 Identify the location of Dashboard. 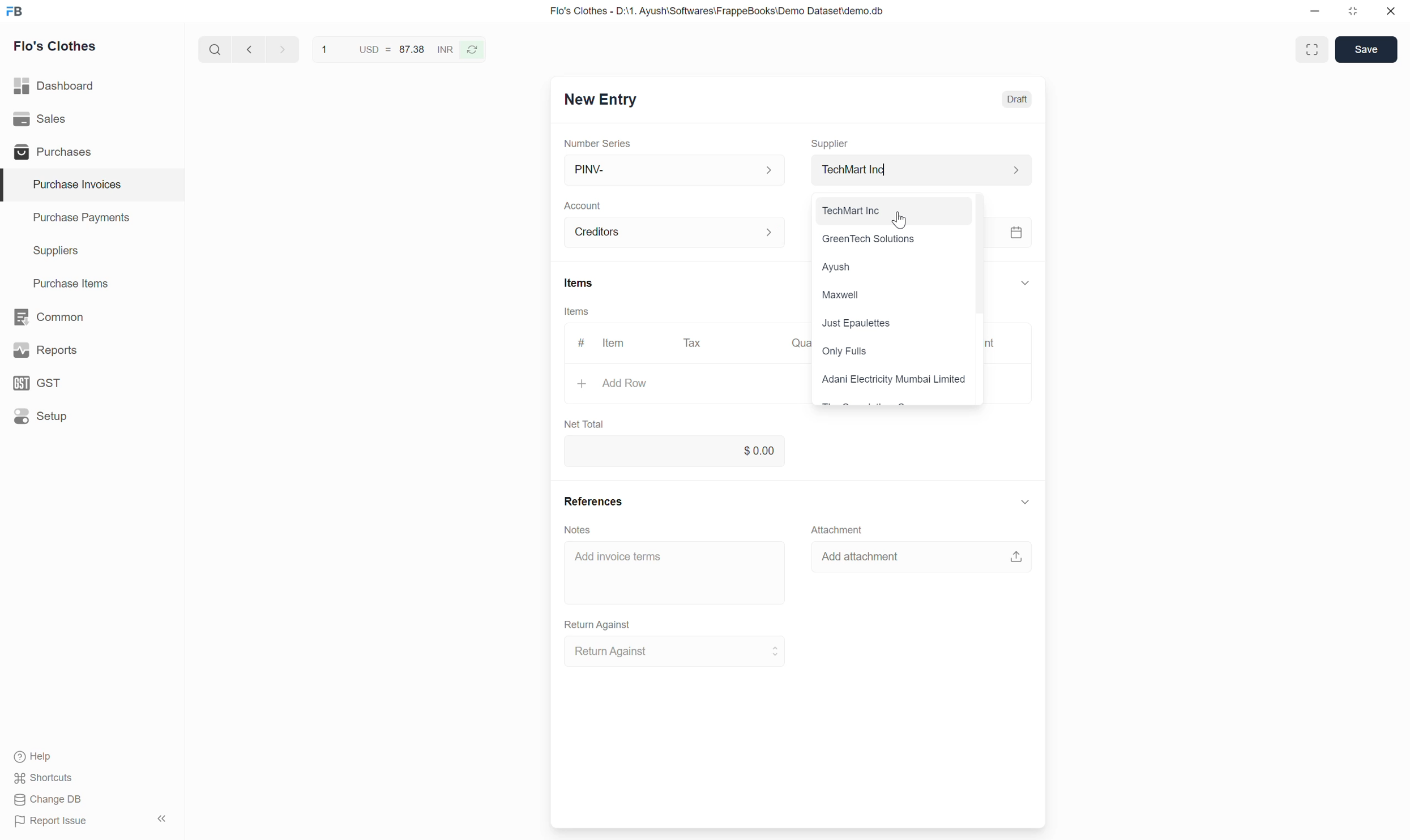
(55, 83).